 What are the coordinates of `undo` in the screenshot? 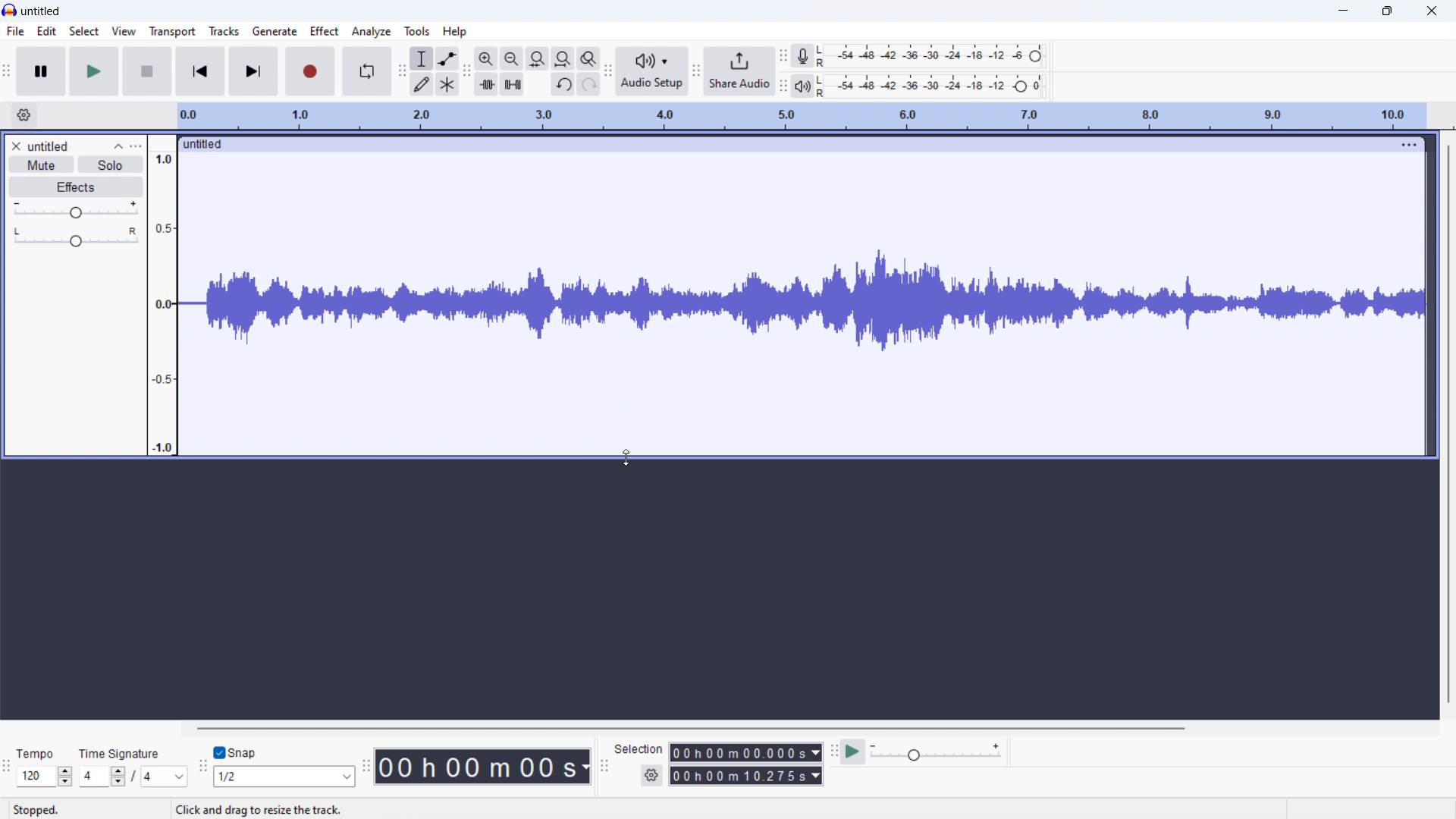 It's located at (563, 85).